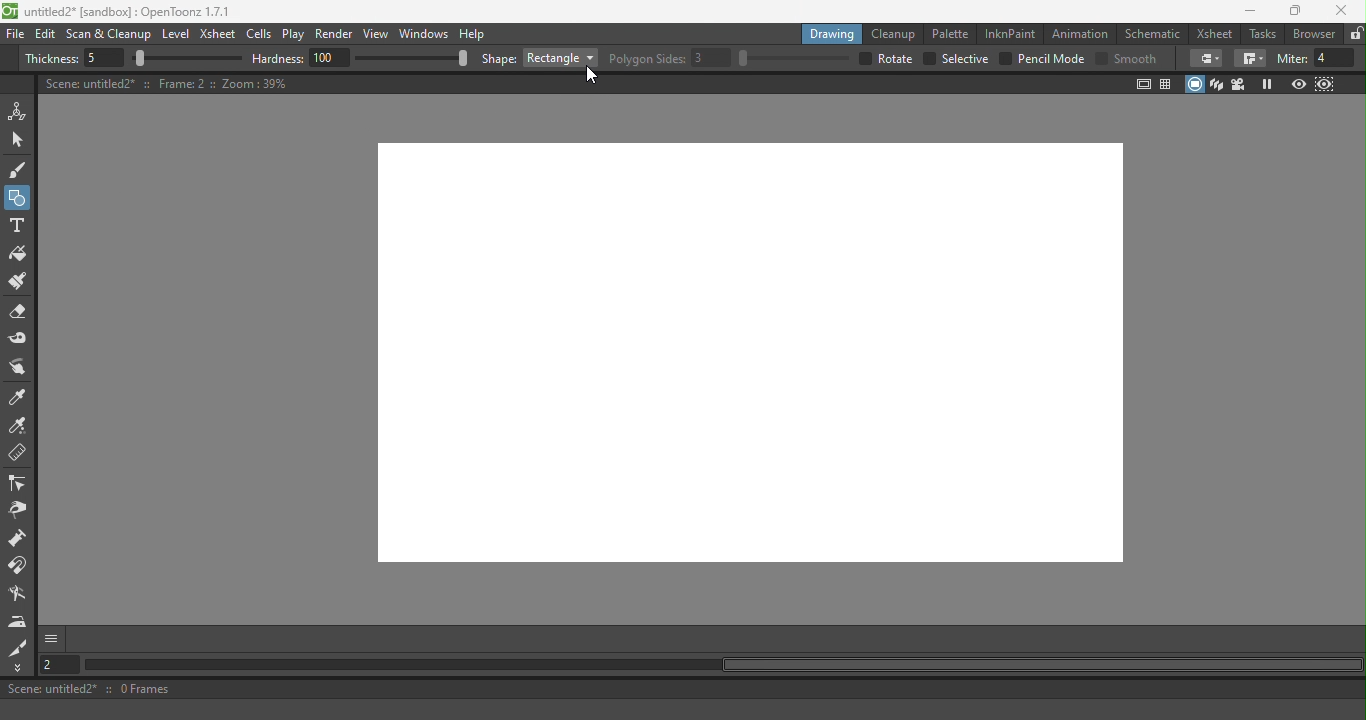  I want to click on Rotate, so click(886, 59).